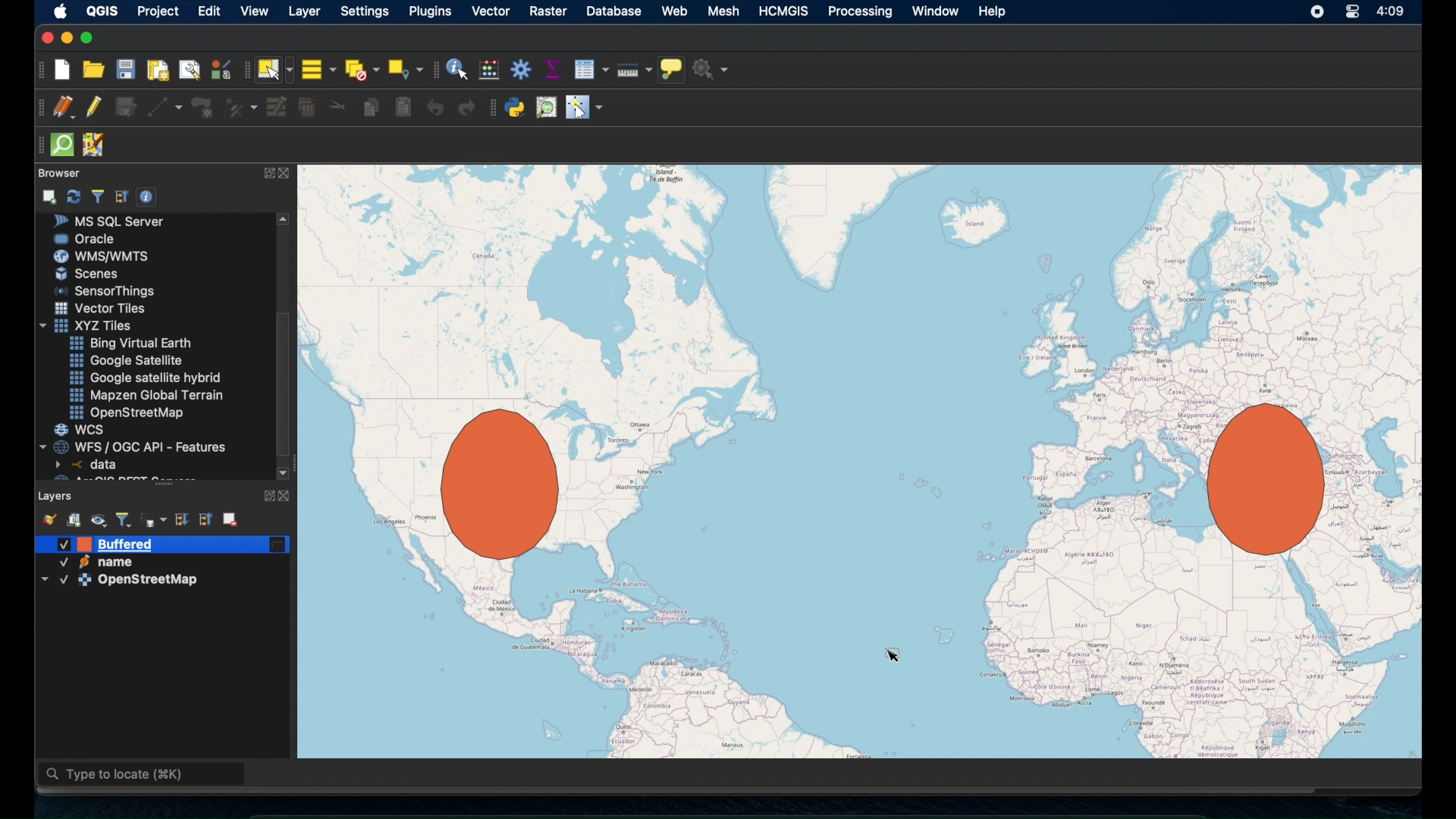  Describe the element at coordinates (516, 108) in the screenshot. I see `python console` at that location.